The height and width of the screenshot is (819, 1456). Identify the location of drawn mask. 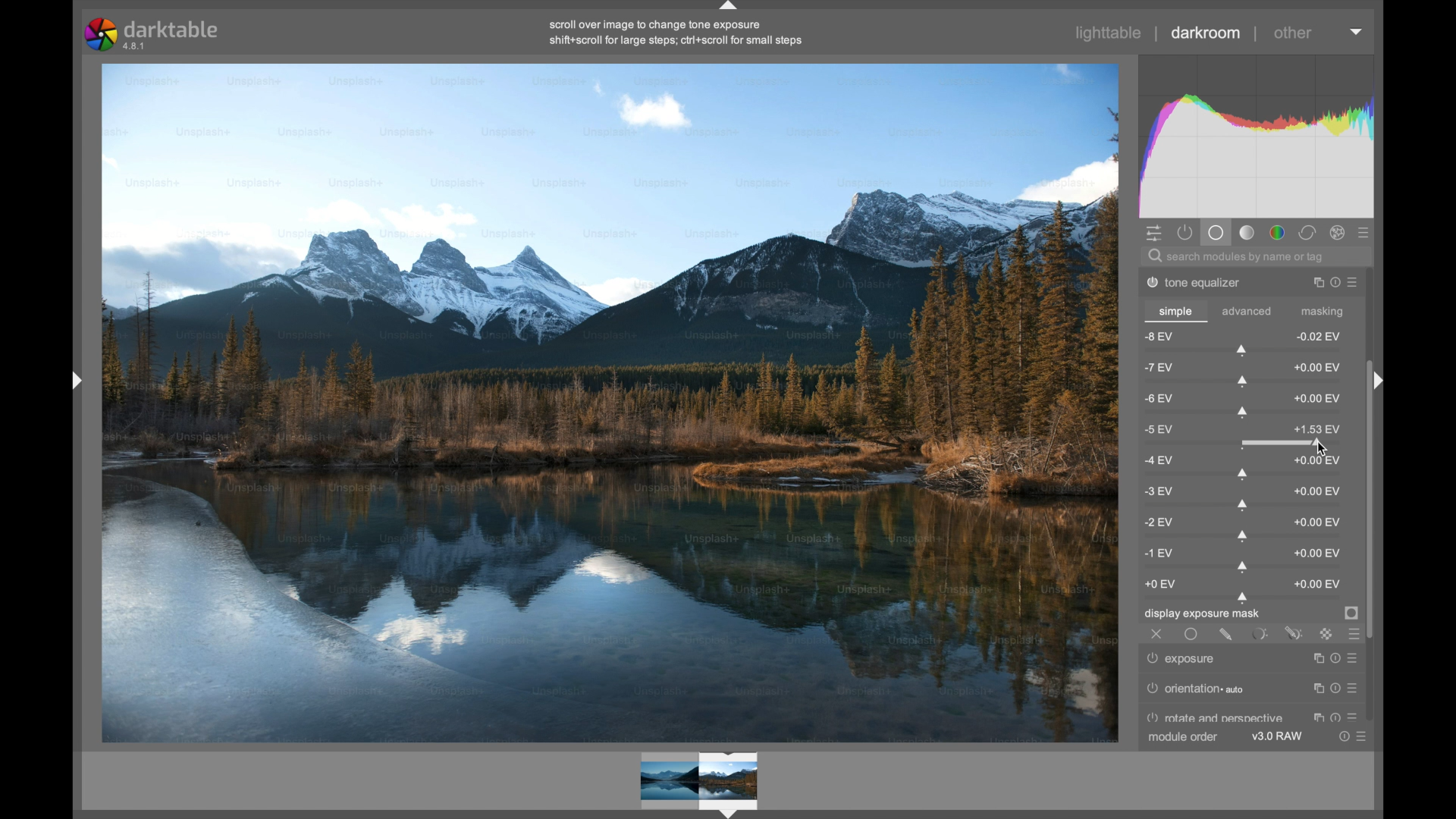
(1227, 635).